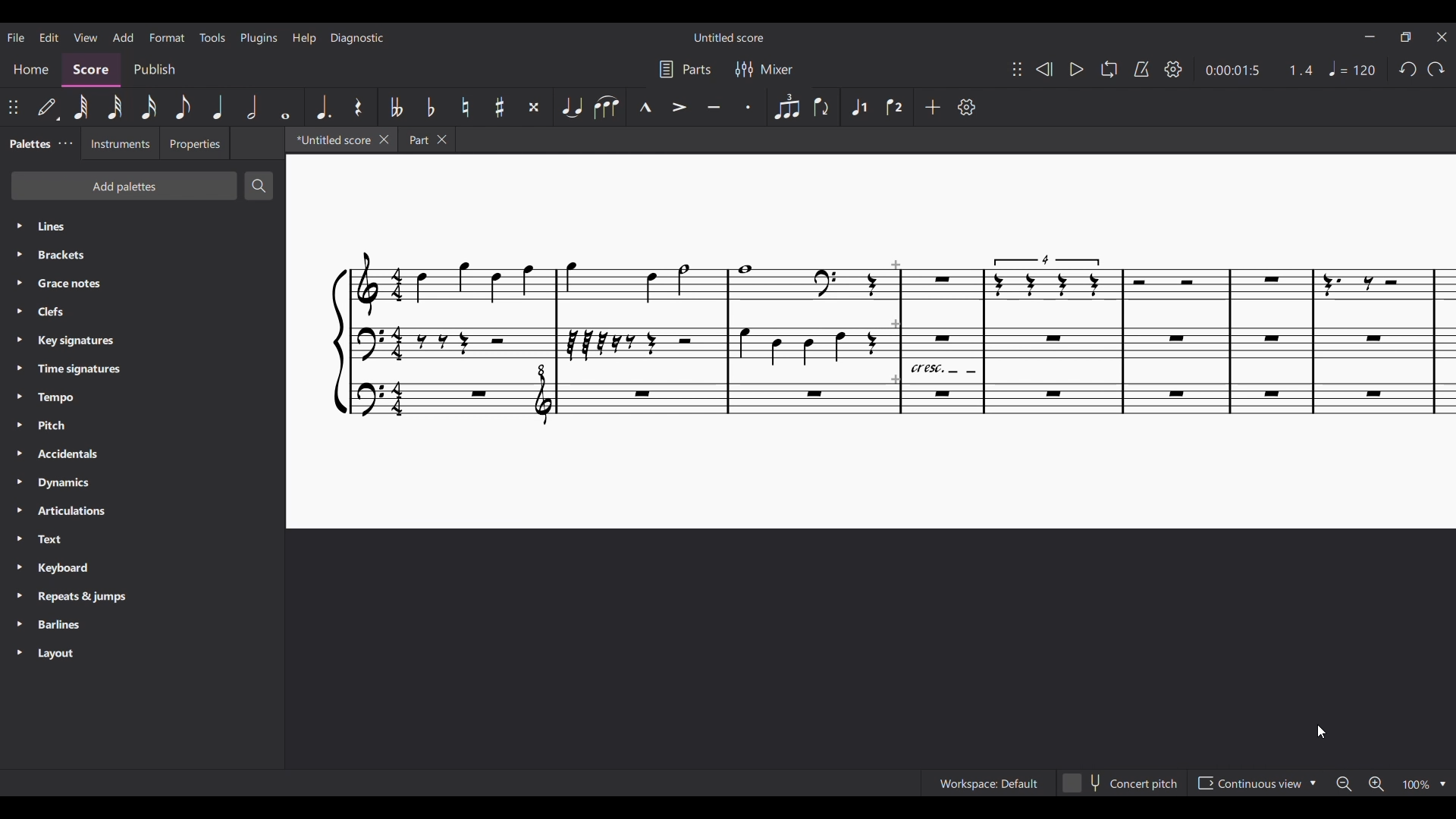 The width and height of the screenshot is (1456, 819). Describe the element at coordinates (168, 36) in the screenshot. I see `Format menu` at that location.